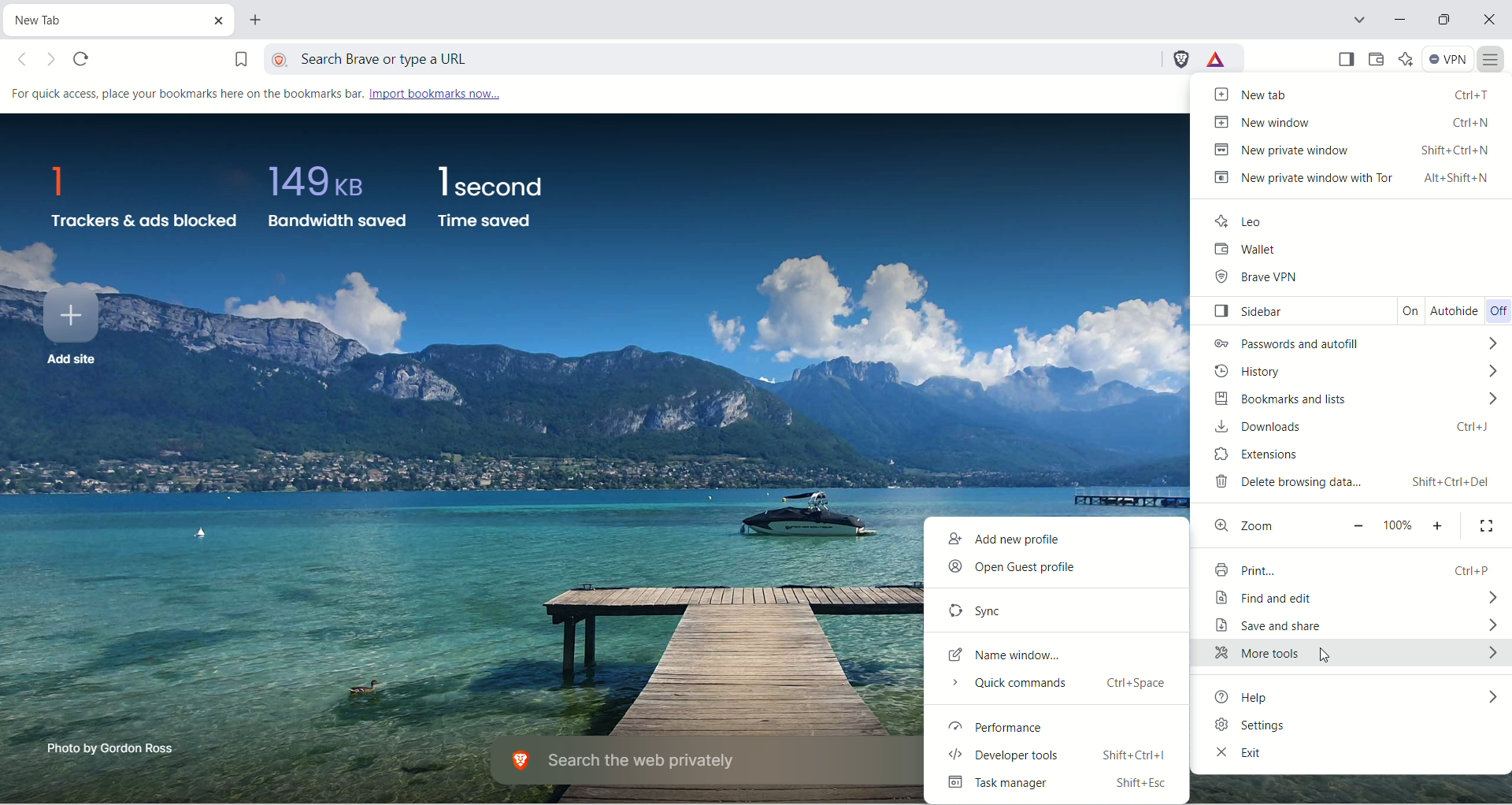  What do you see at coordinates (1354, 180) in the screenshot?
I see `new private window with tor` at bounding box center [1354, 180].